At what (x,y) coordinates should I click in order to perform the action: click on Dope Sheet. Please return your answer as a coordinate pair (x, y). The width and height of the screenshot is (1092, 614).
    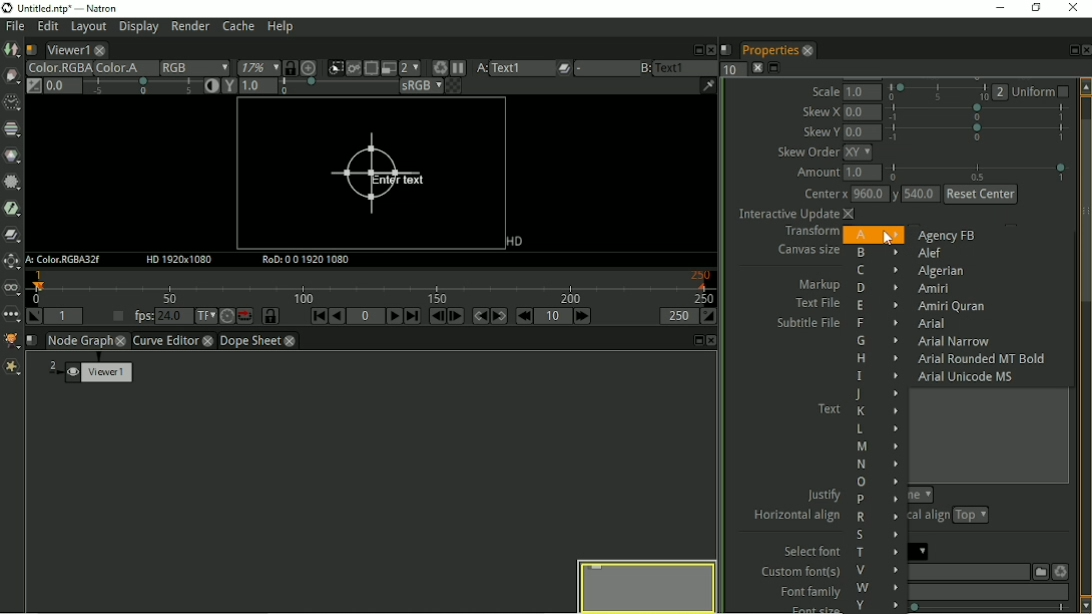
    Looking at the image, I should click on (251, 341).